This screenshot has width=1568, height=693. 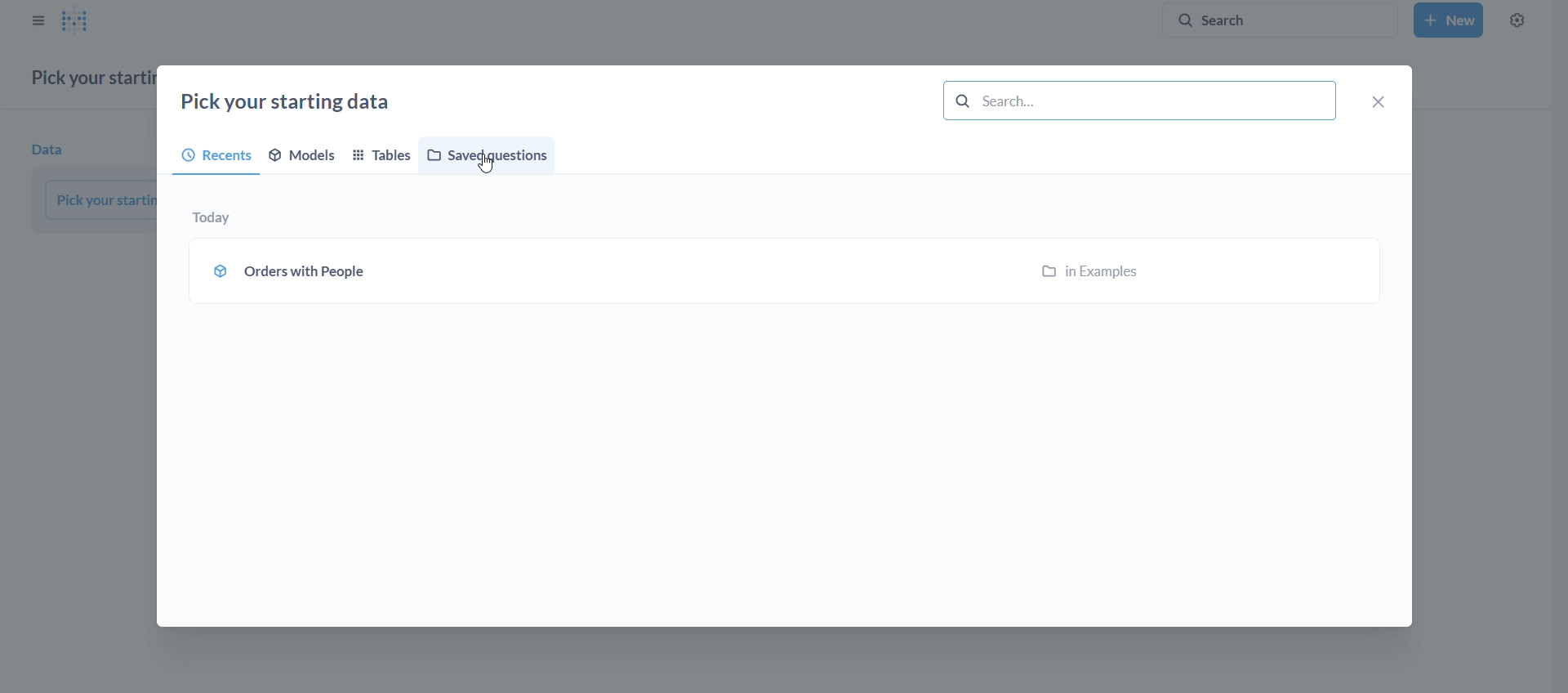 What do you see at coordinates (488, 168) in the screenshot?
I see `Cursor` at bounding box center [488, 168].